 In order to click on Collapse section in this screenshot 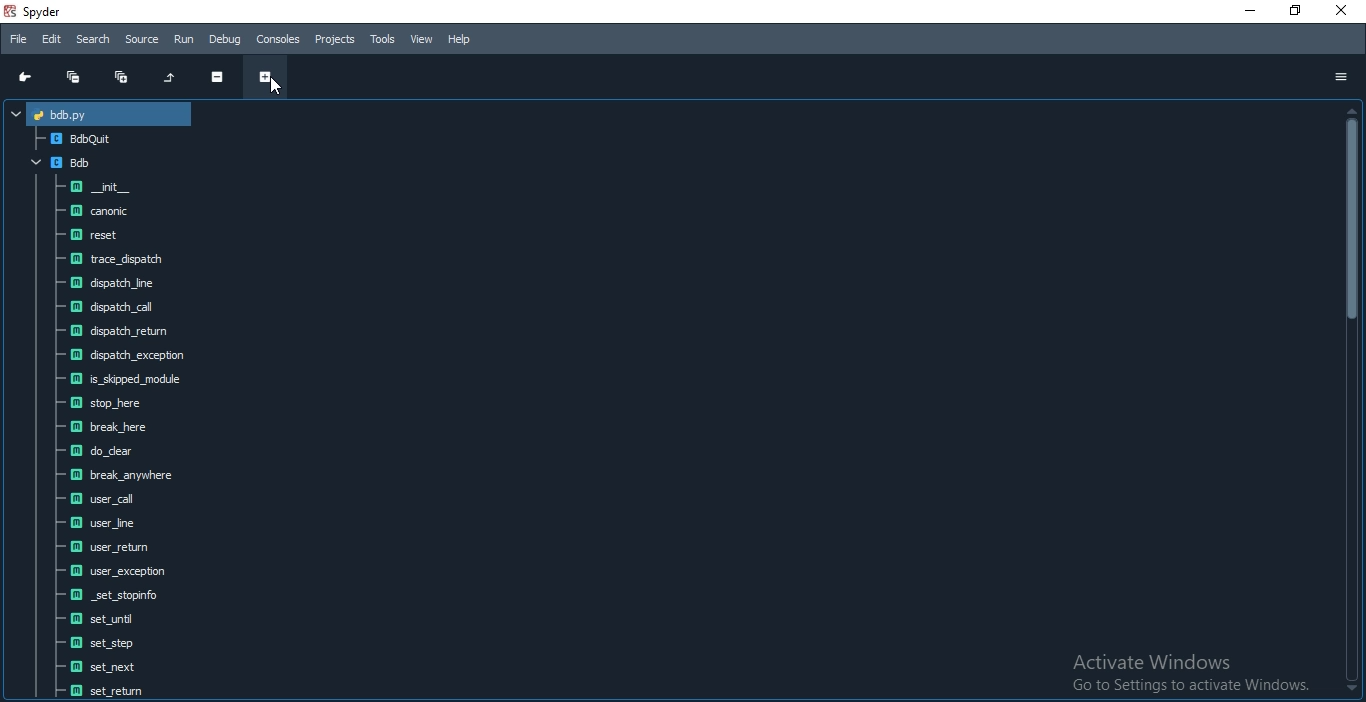, I will do `click(217, 79)`.